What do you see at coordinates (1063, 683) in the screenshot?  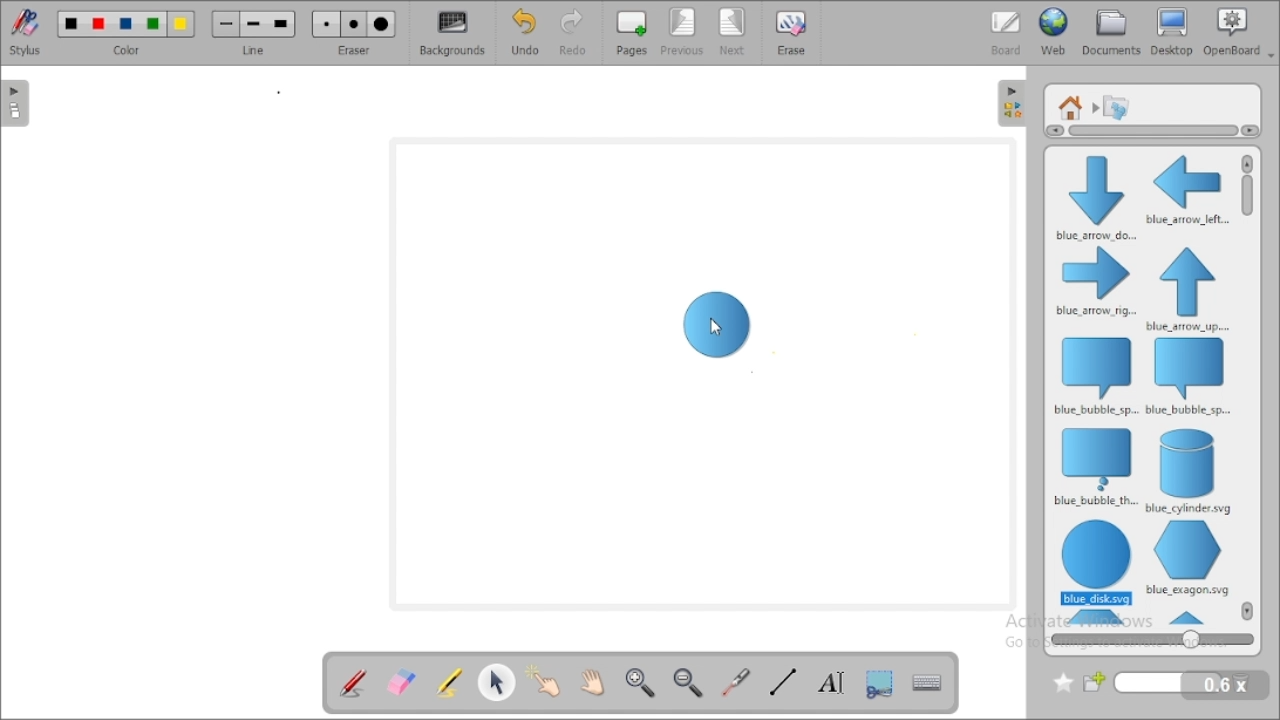 I see `add to favorites` at bounding box center [1063, 683].